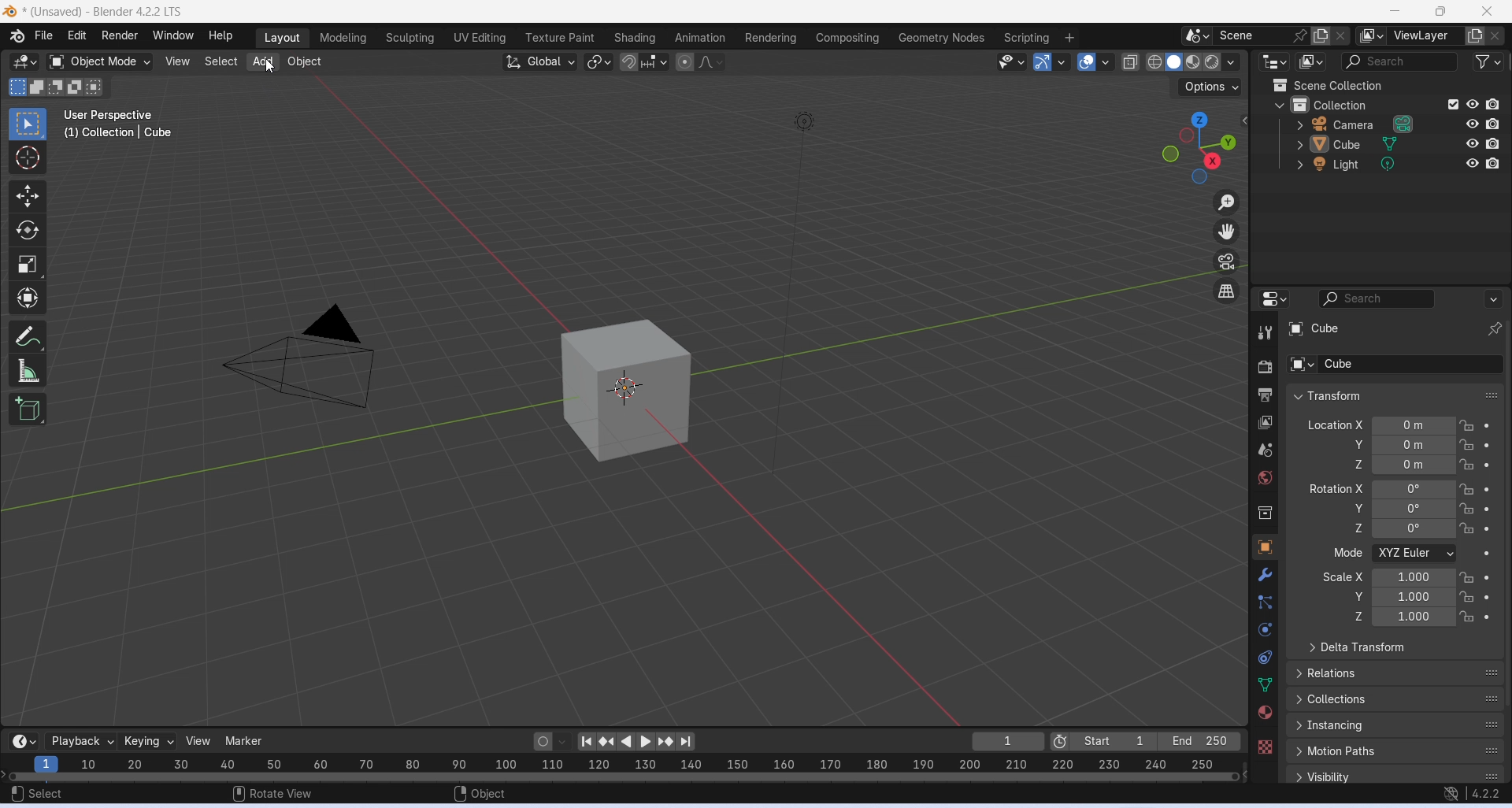 The image size is (1512, 808). Describe the element at coordinates (43, 35) in the screenshot. I see `File` at that location.